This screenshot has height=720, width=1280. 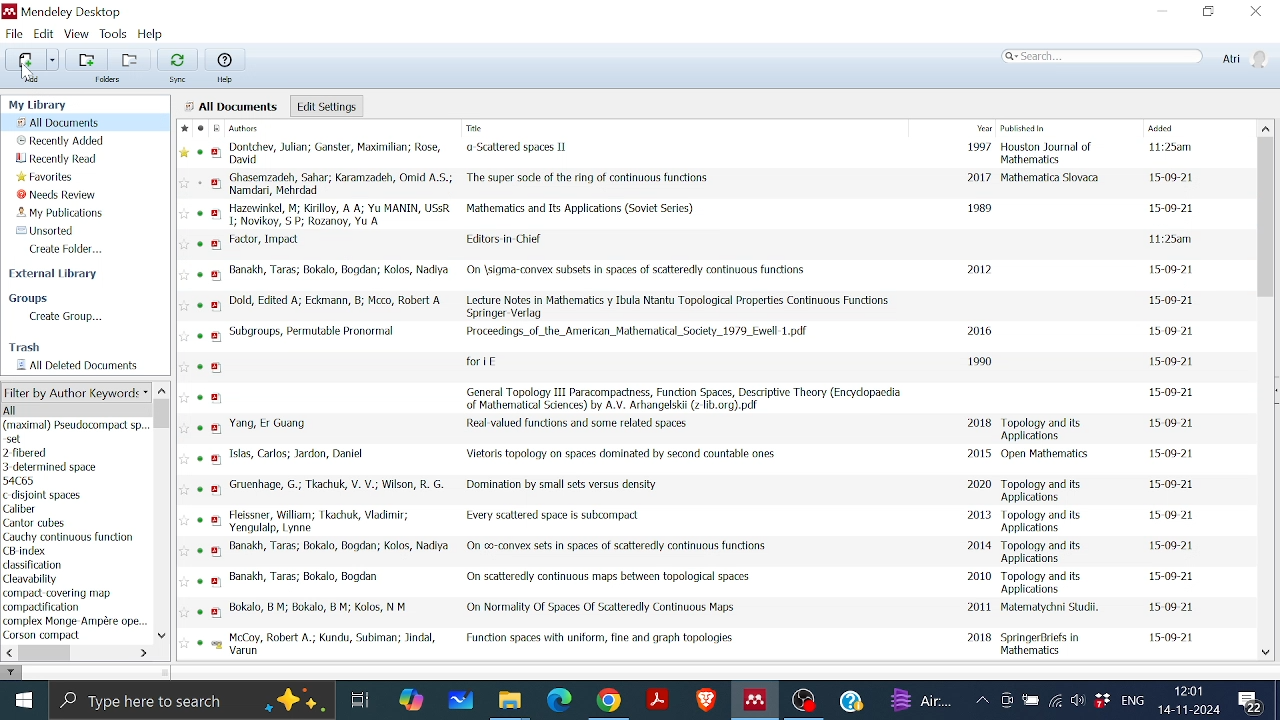 What do you see at coordinates (215, 398) in the screenshot?
I see `pdf` at bounding box center [215, 398].